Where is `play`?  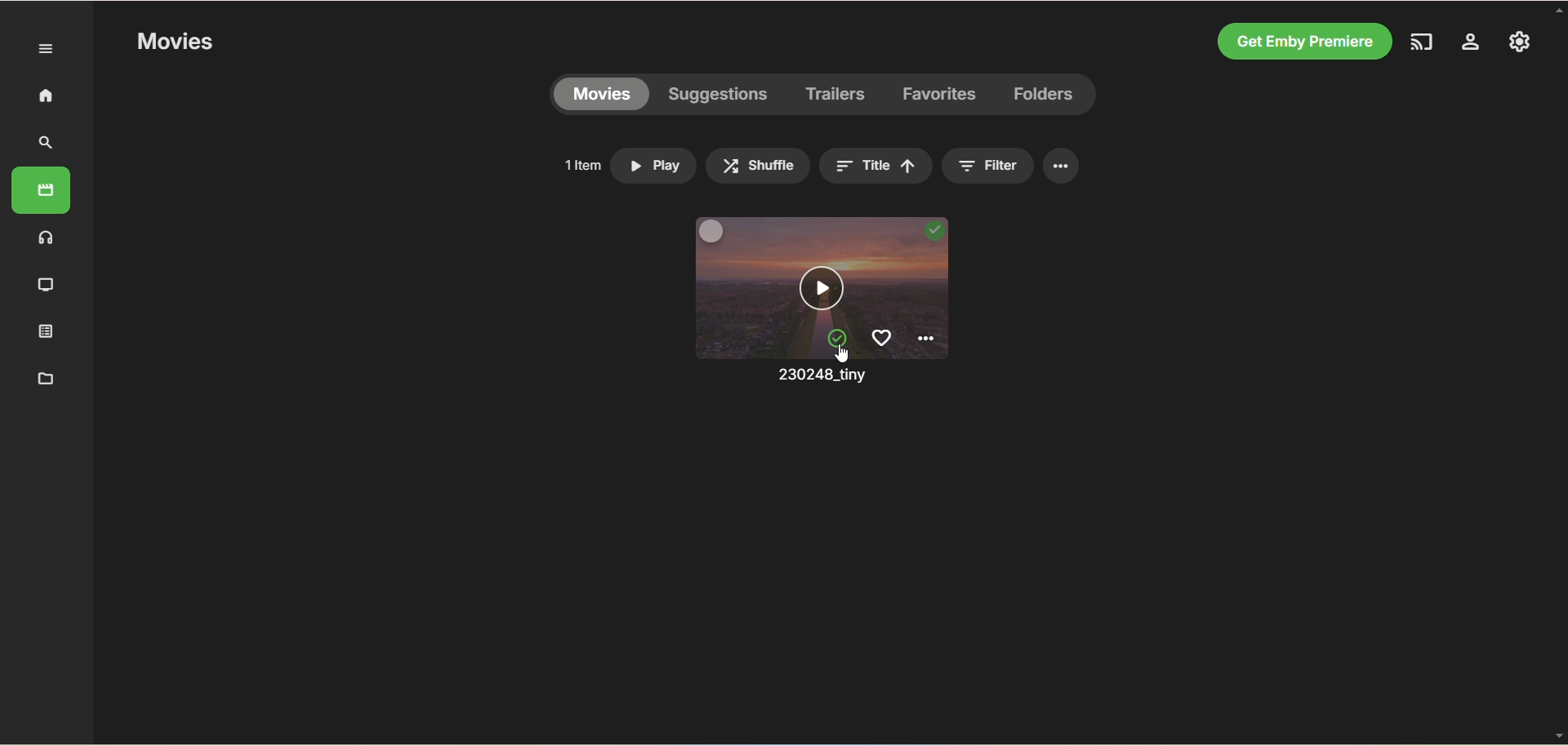 play is located at coordinates (824, 290).